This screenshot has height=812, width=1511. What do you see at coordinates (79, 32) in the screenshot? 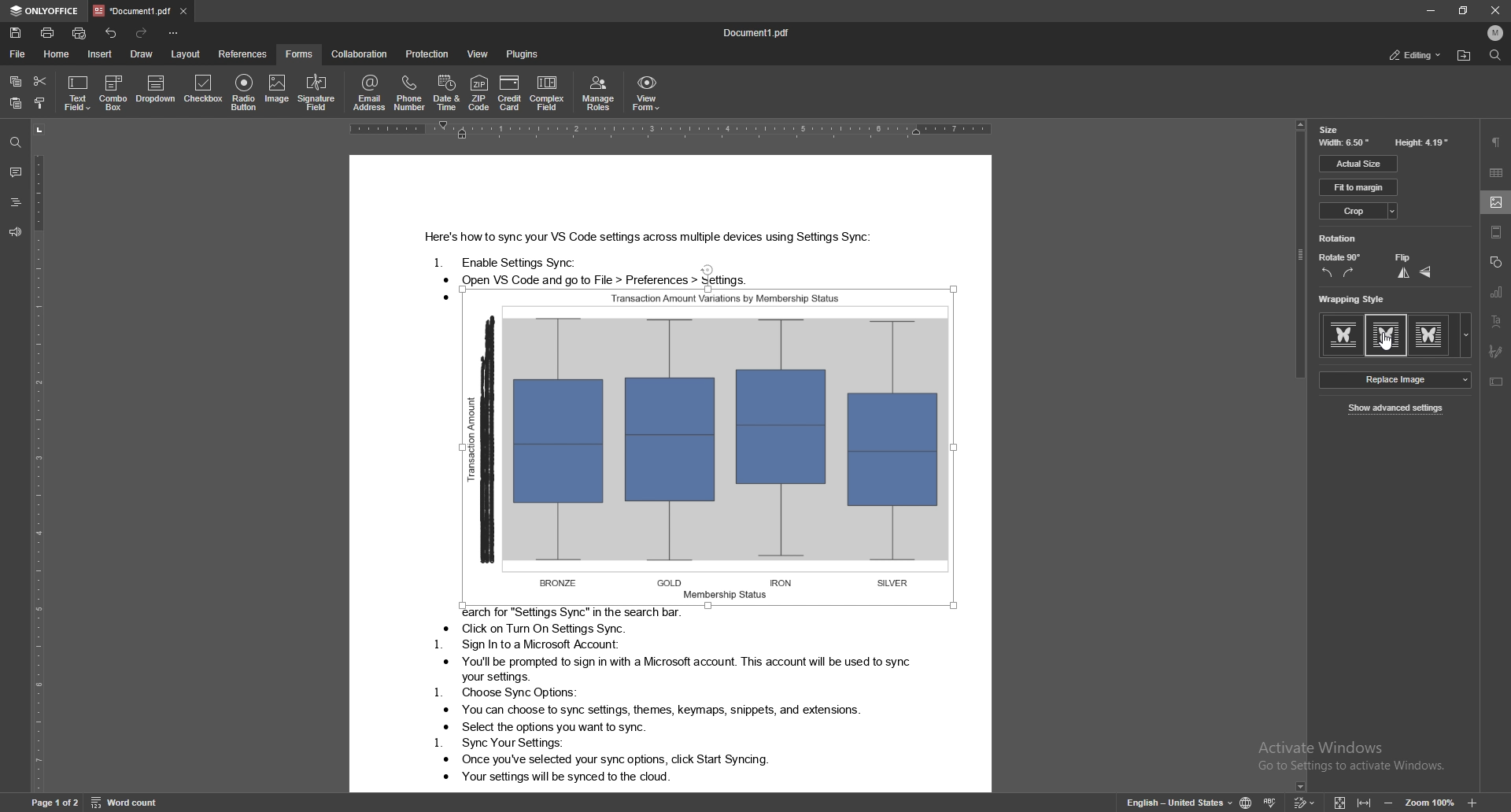
I see `quick print` at bounding box center [79, 32].